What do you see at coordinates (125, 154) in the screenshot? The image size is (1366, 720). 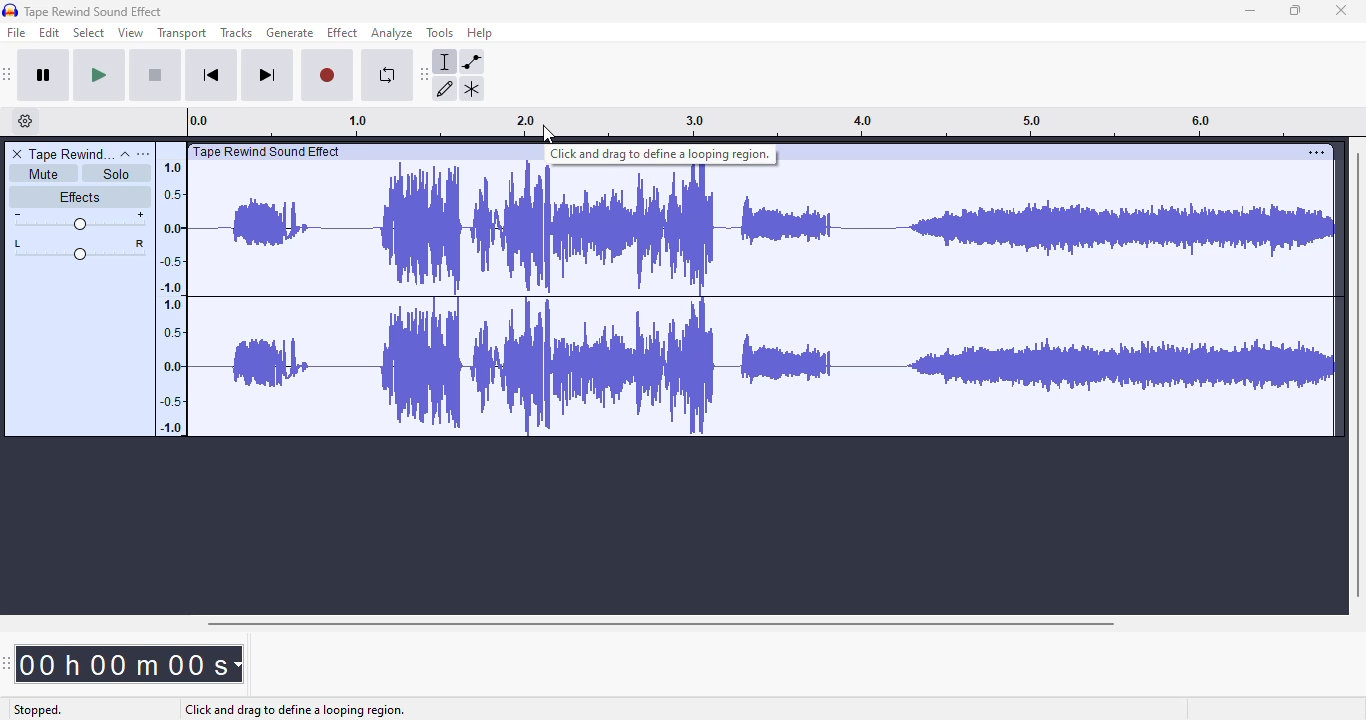 I see `collapse` at bounding box center [125, 154].